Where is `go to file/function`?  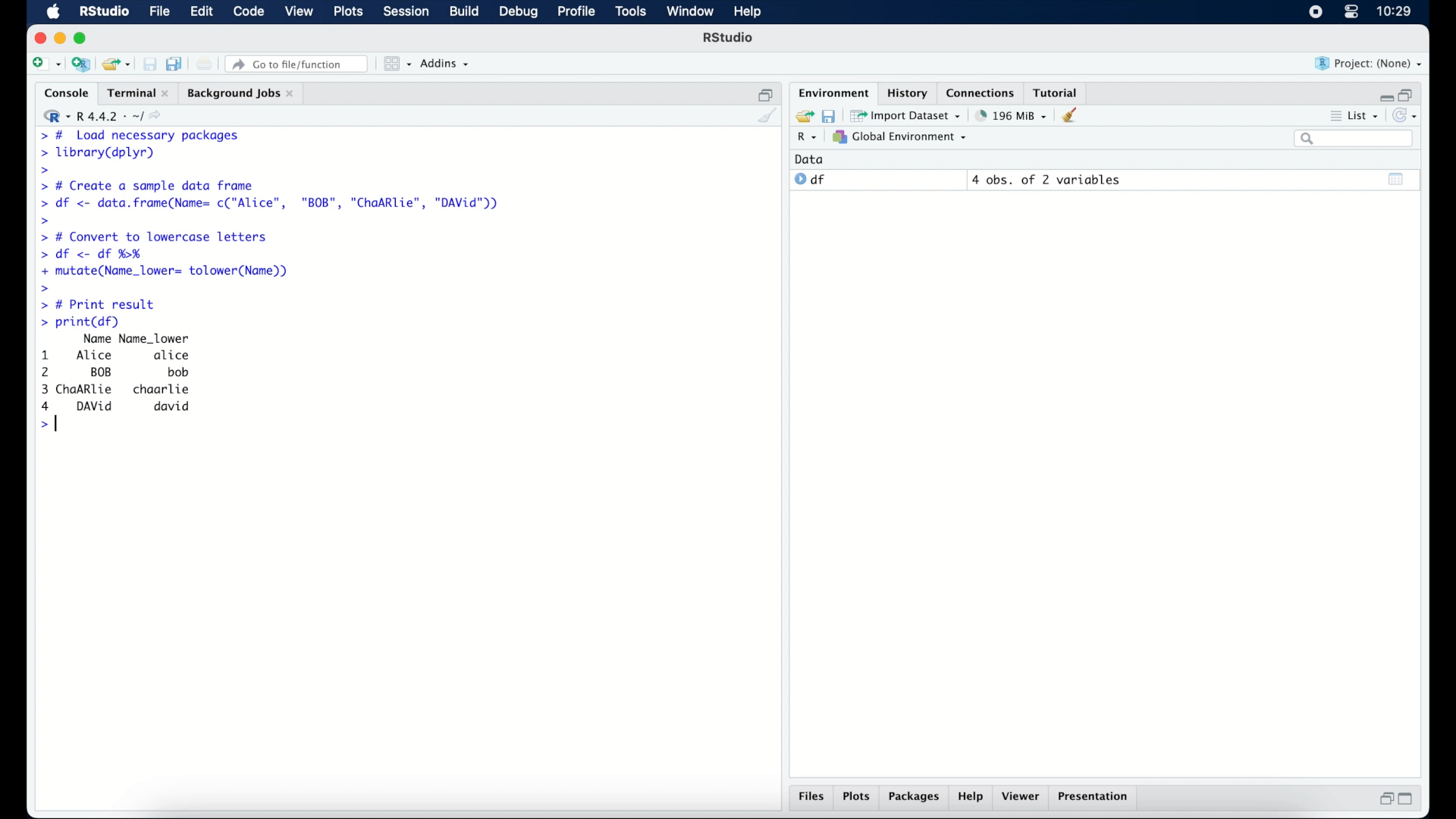 go to file/function is located at coordinates (297, 64).